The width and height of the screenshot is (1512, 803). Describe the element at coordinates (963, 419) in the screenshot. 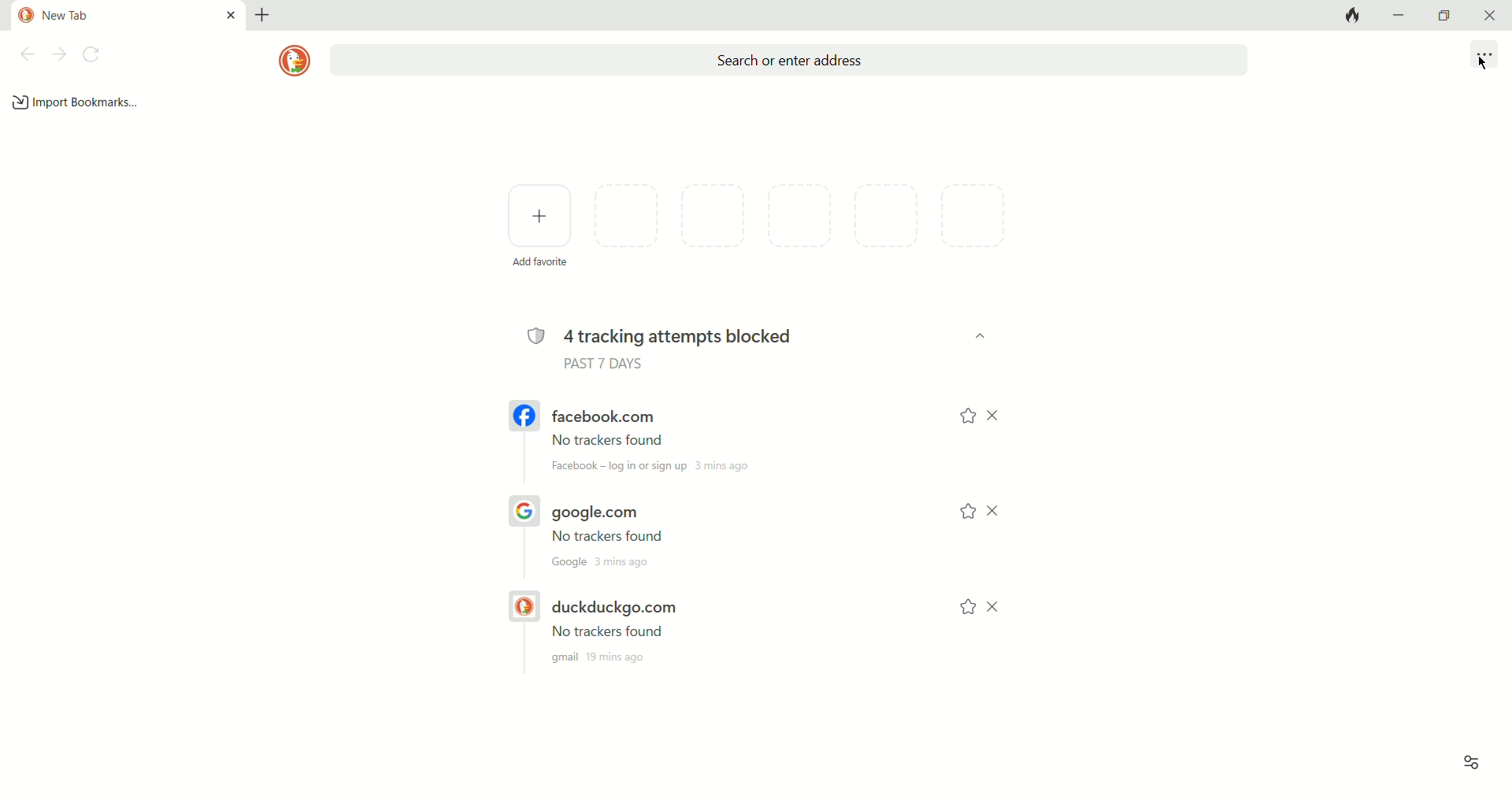

I see `add to favorites` at that location.